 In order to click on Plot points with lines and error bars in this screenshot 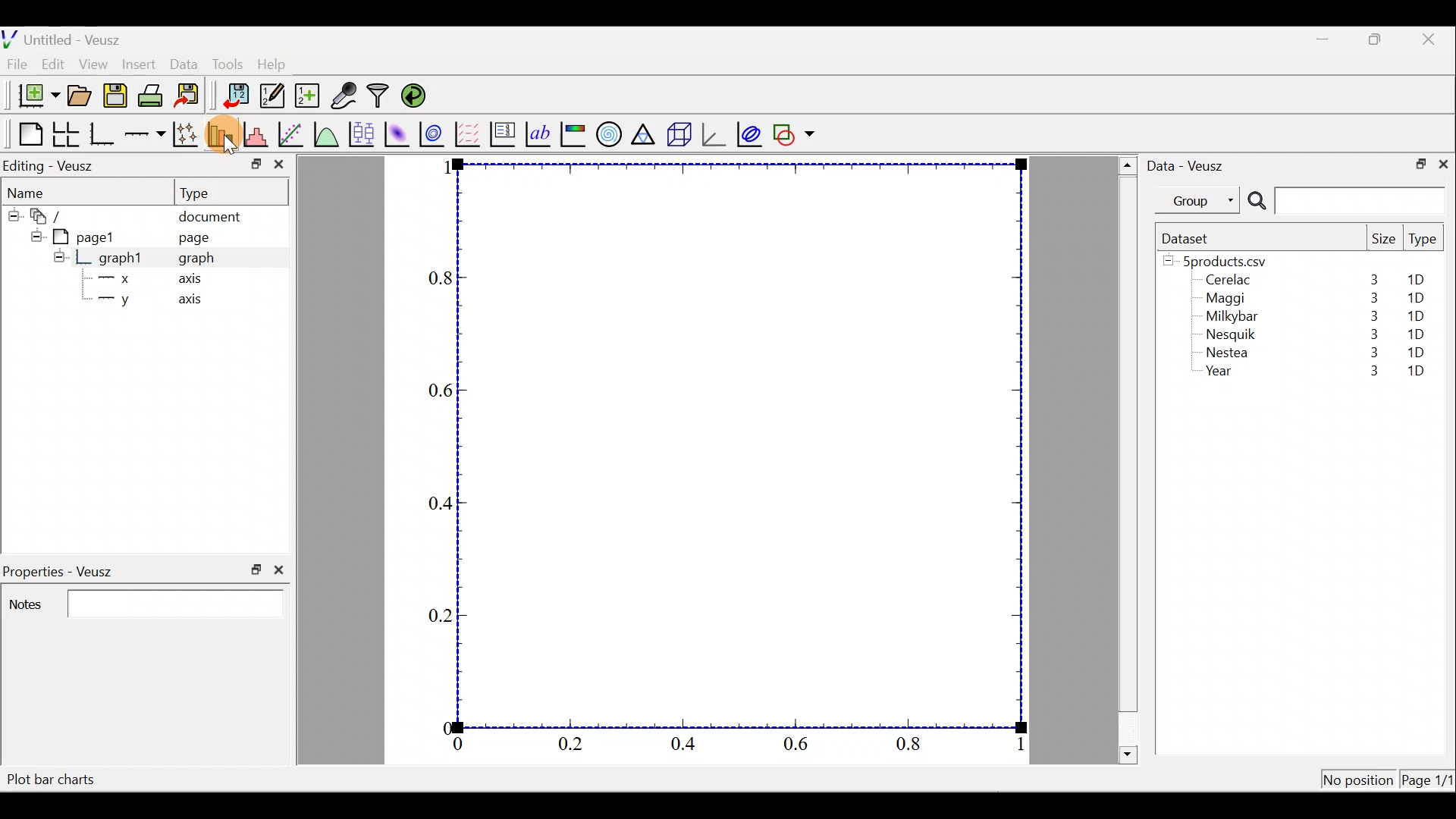, I will do `click(188, 135)`.